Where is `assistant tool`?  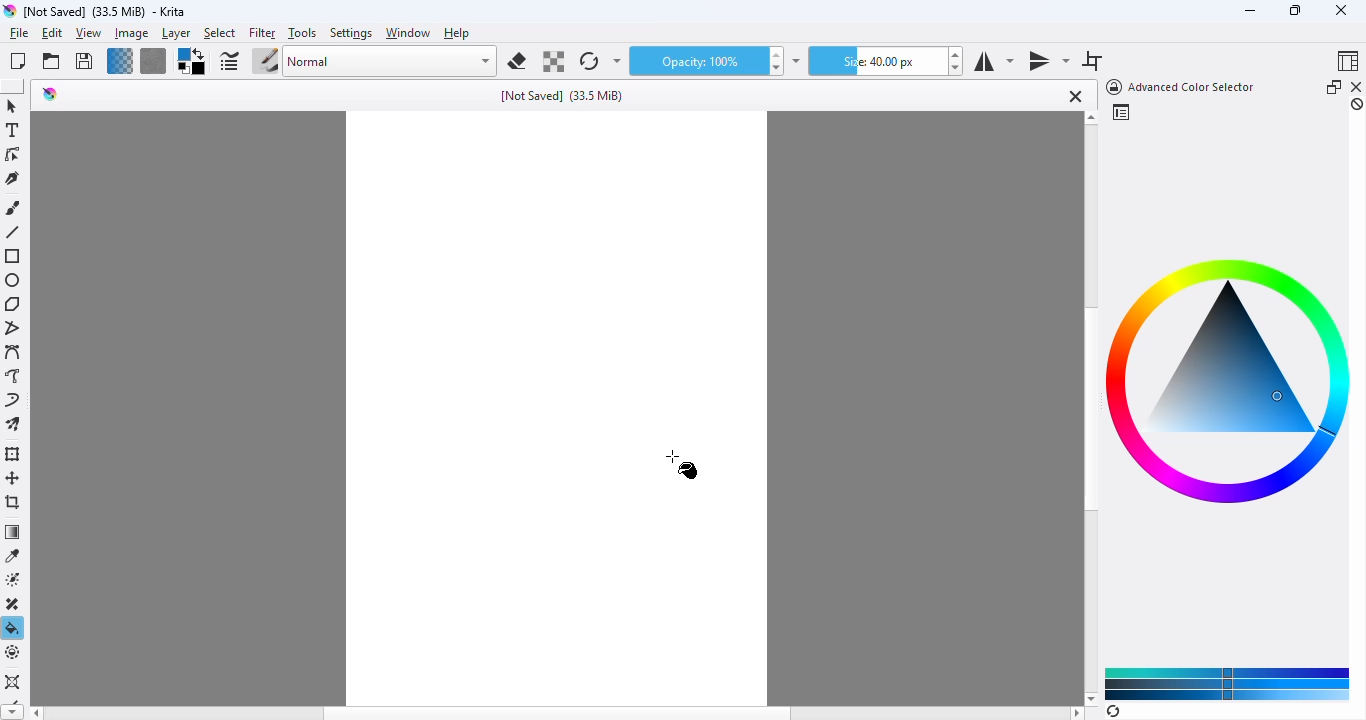
assistant tool is located at coordinates (12, 681).